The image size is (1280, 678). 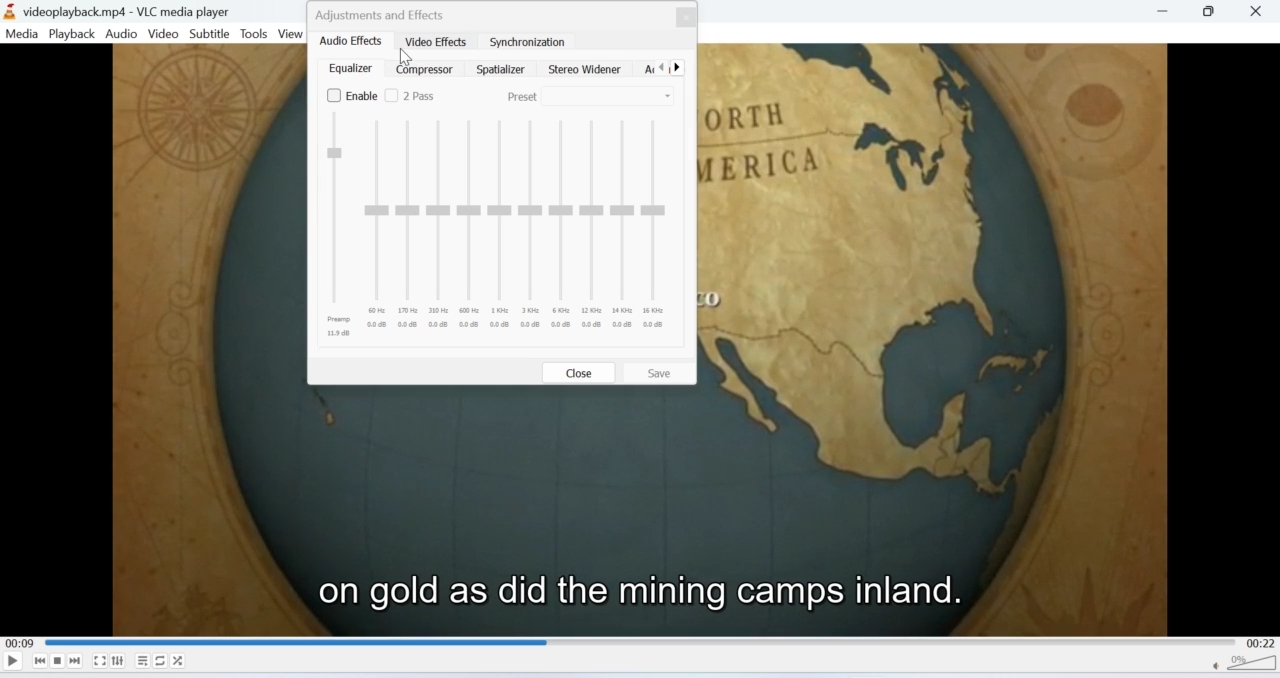 I want to click on Playbar, so click(x=642, y=642).